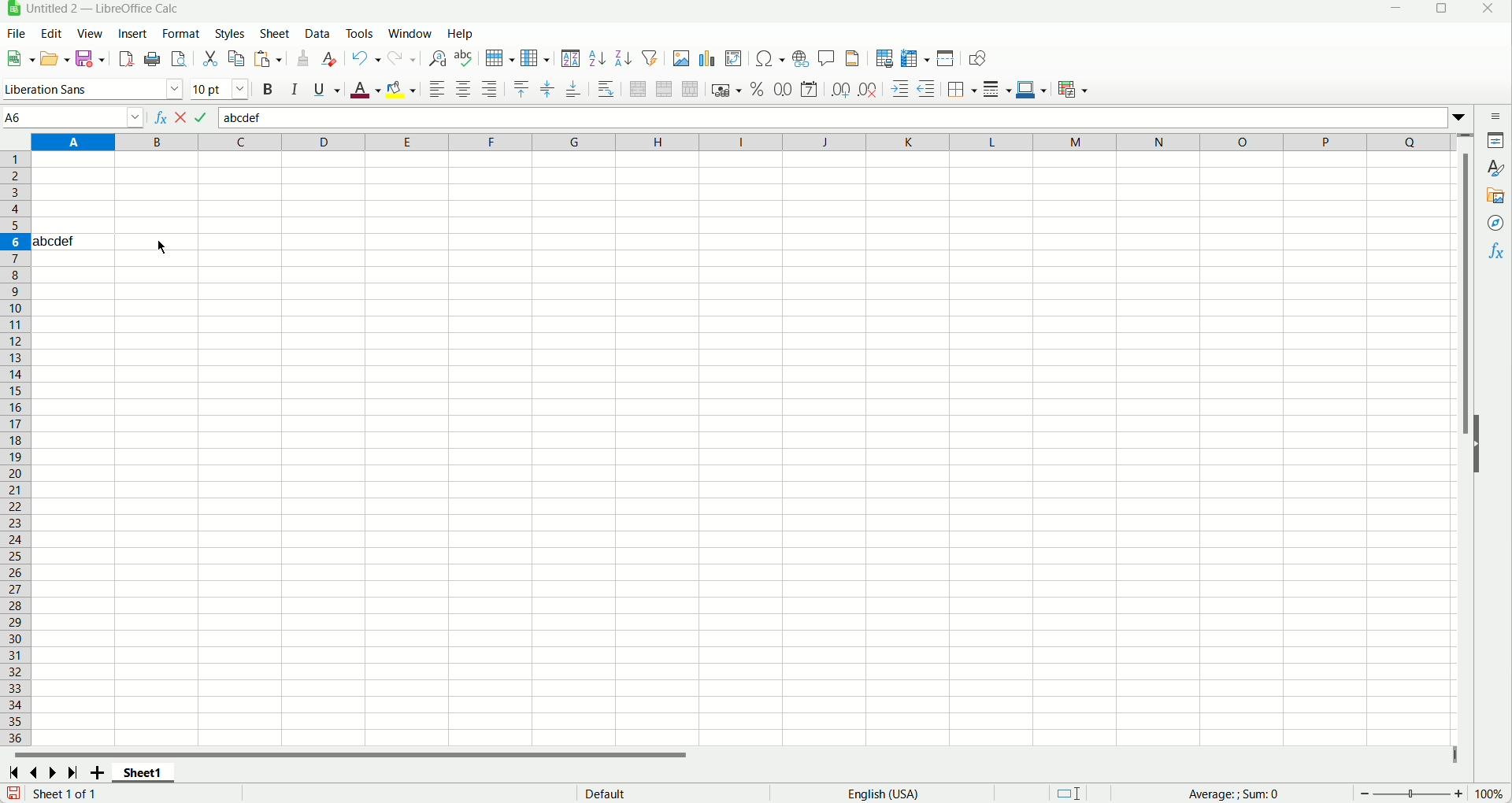  I want to click on save, so click(89, 58).